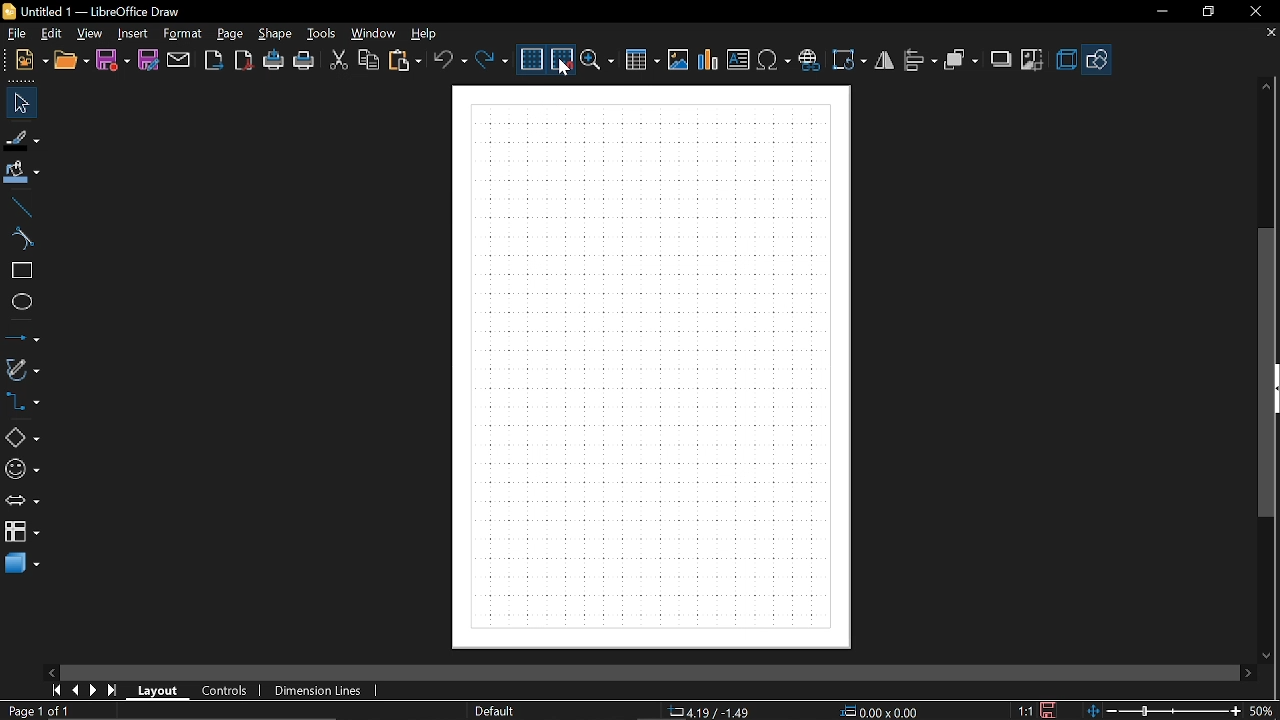  What do you see at coordinates (882, 712) in the screenshot?
I see `location` at bounding box center [882, 712].